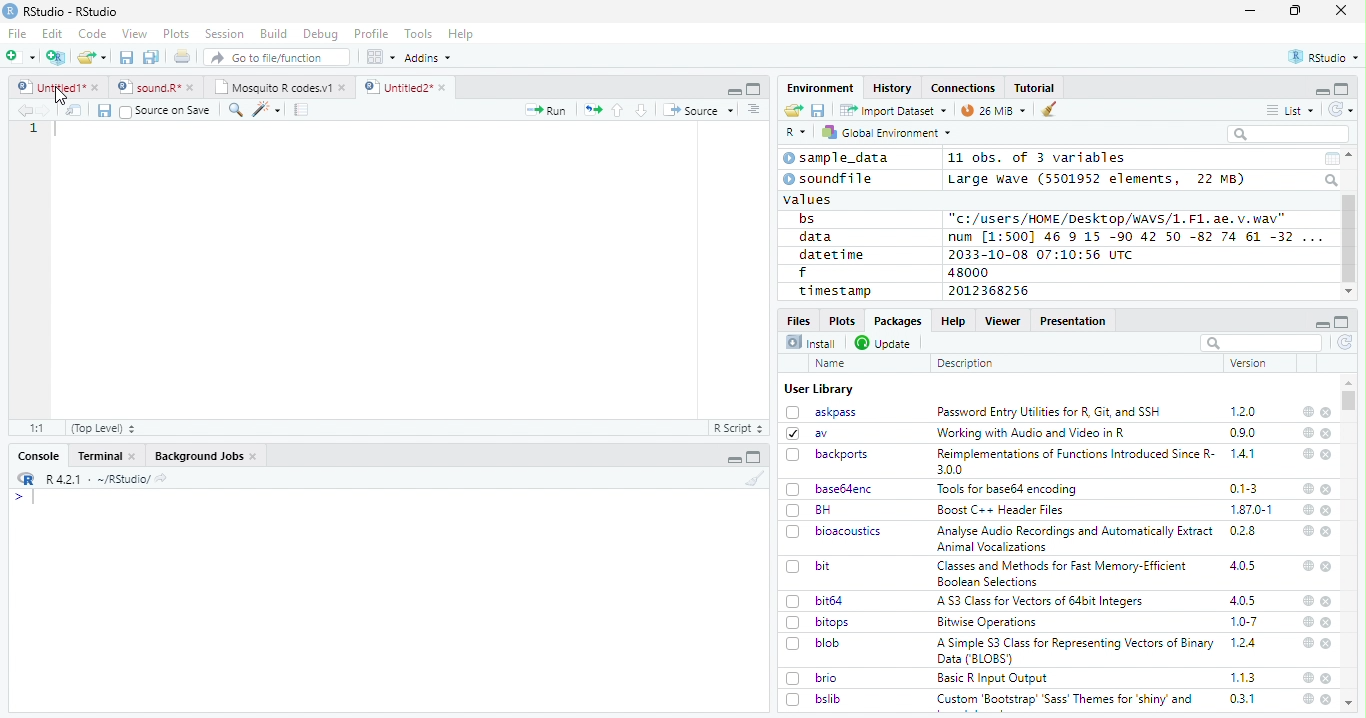 The height and width of the screenshot is (718, 1366). Describe the element at coordinates (1342, 89) in the screenshot. I see `full screen` at that location.